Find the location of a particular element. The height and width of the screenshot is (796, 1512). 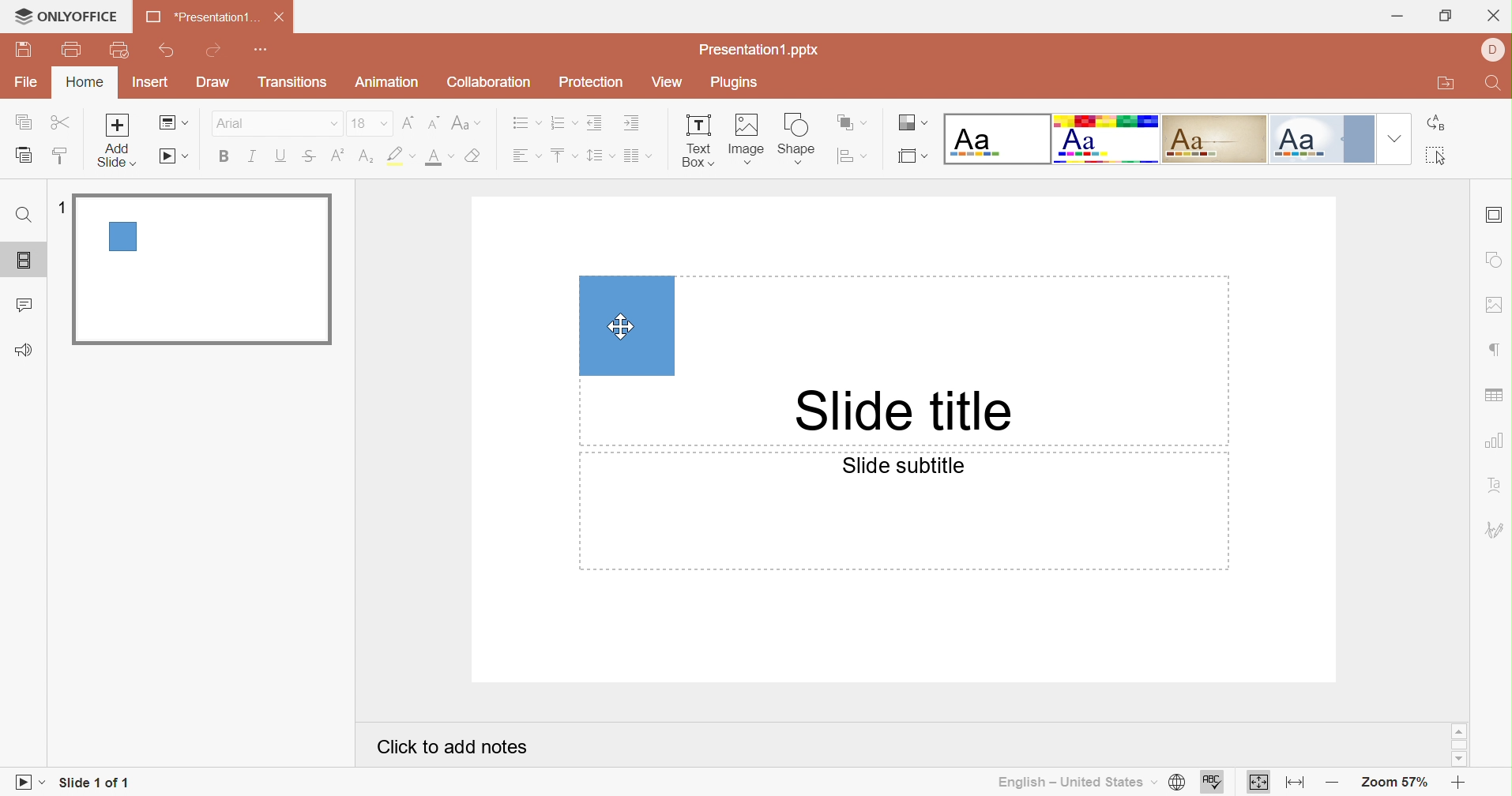

Slide 1 of 1 is located at coordinates (94, 782).